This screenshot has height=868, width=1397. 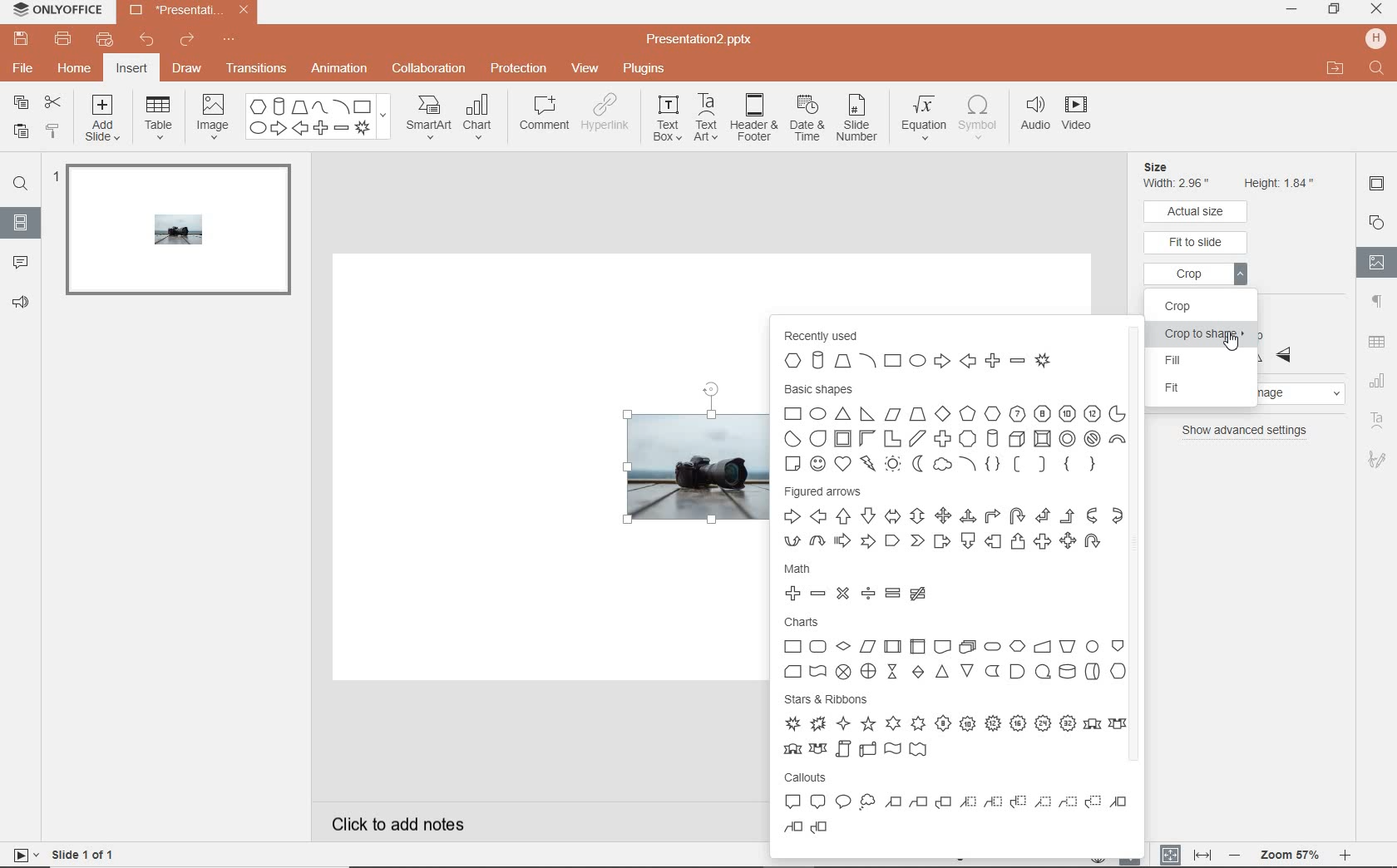 What do you see at coordinates (24, 70) in the screenshot?
I see `file` at bounding box center [24, 70].